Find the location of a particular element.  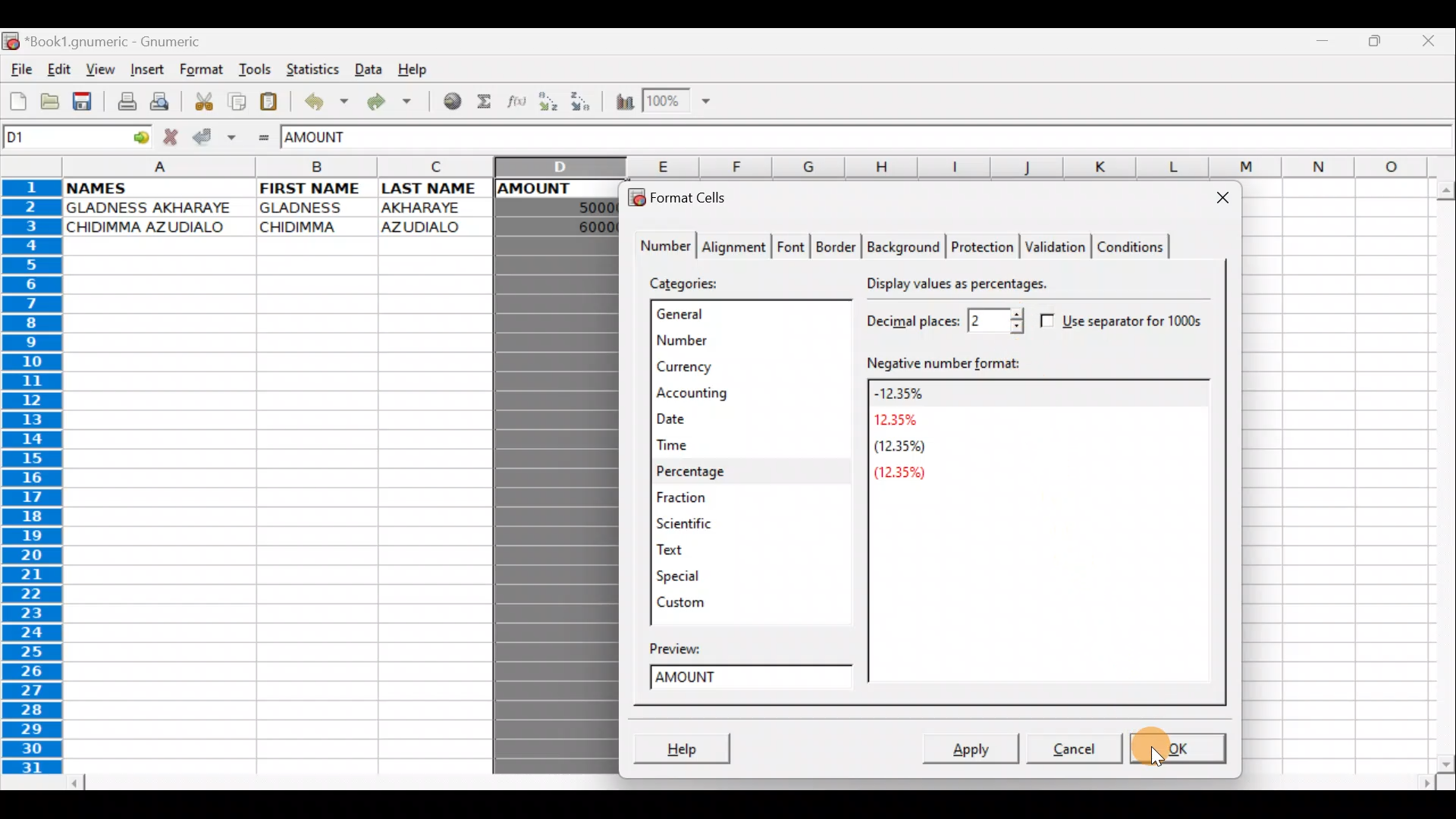

General is located at coordinates (739, 315).